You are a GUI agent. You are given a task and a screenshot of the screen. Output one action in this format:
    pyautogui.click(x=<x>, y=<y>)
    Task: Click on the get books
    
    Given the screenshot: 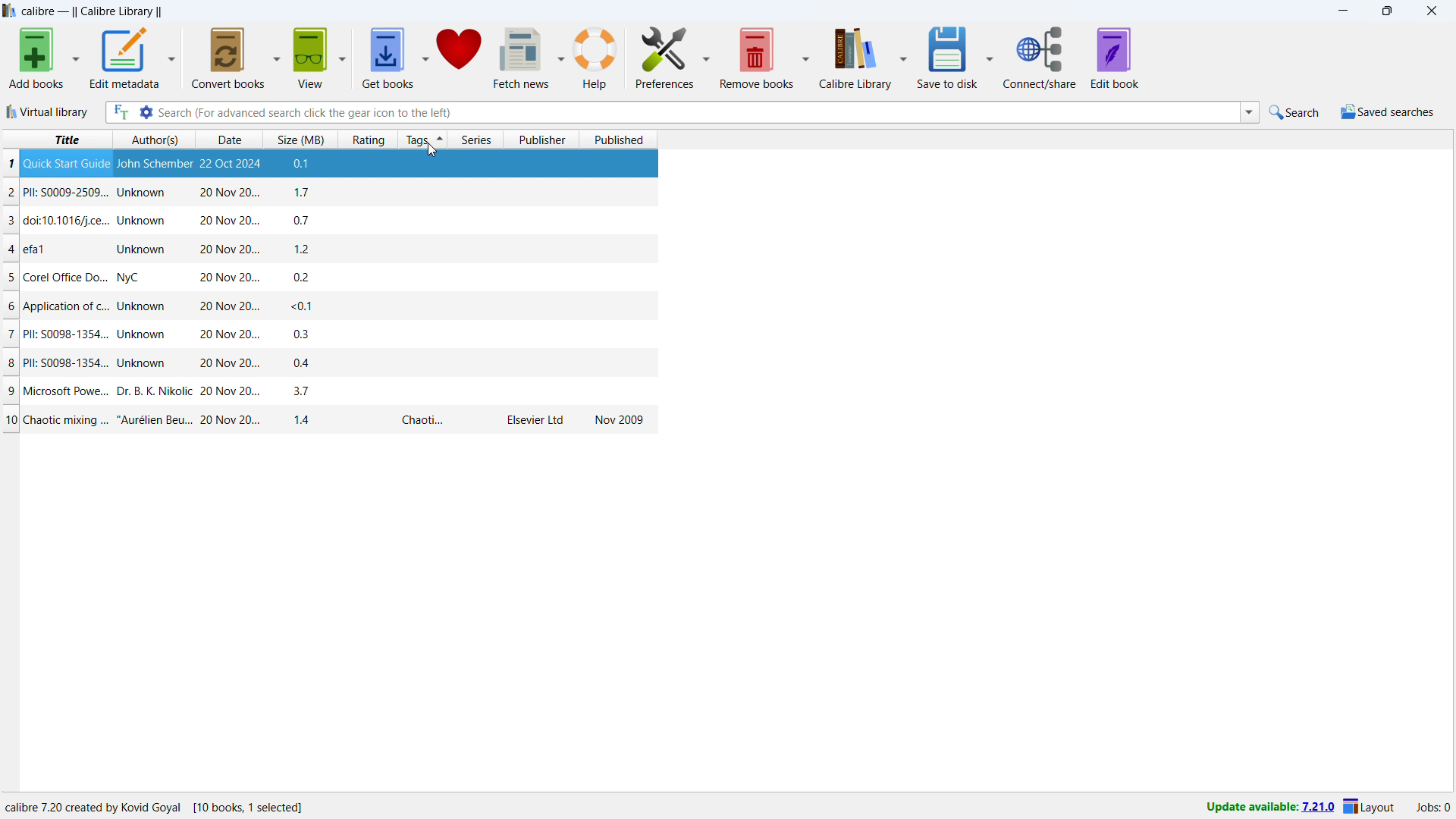 What is the action you would take?
    pyautogui.click(x=388, y=58)
    